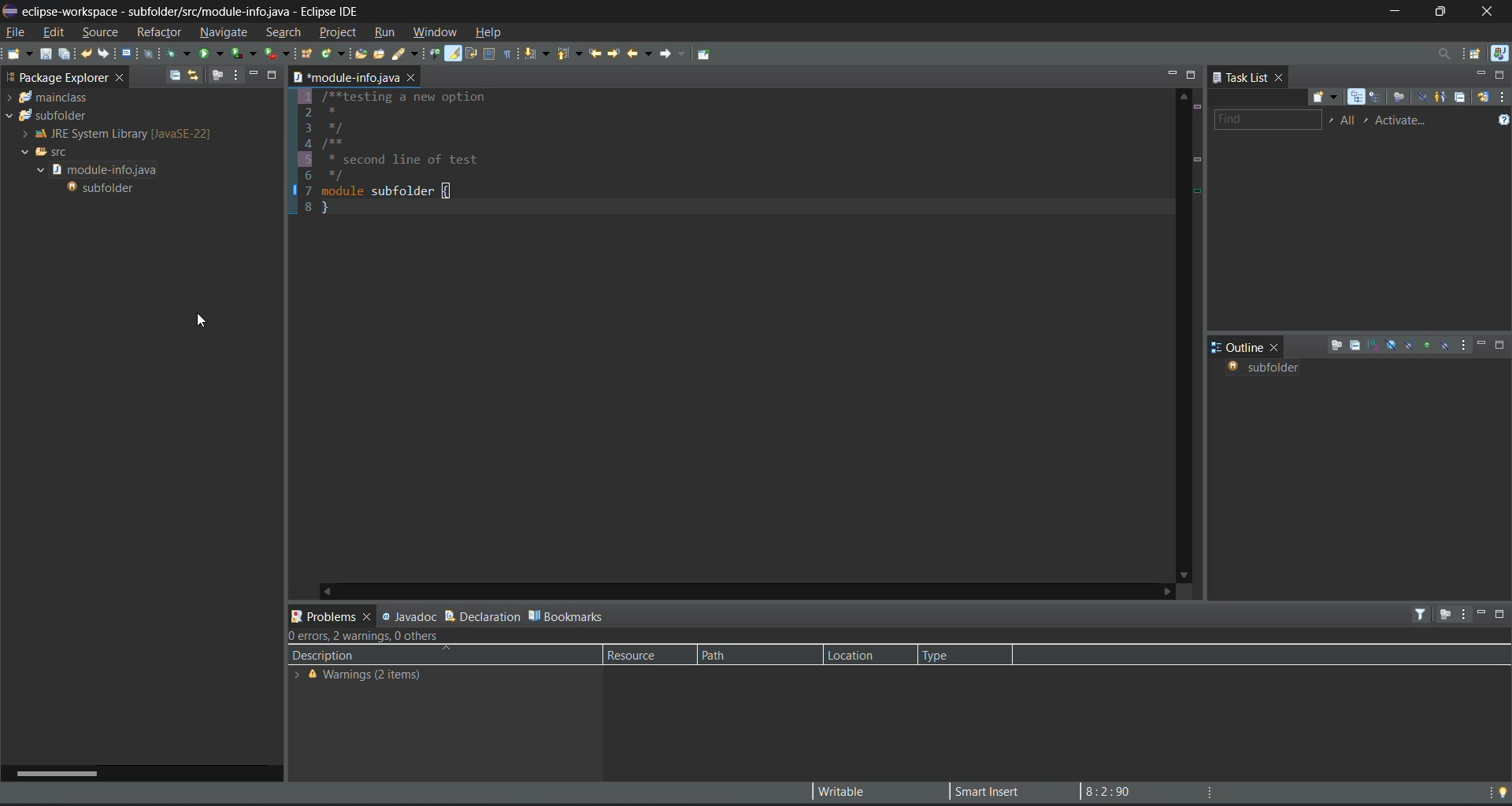 The height and width of the screenshot is (806, 1512). I want to click on Project Explorer, so click(55, 78).